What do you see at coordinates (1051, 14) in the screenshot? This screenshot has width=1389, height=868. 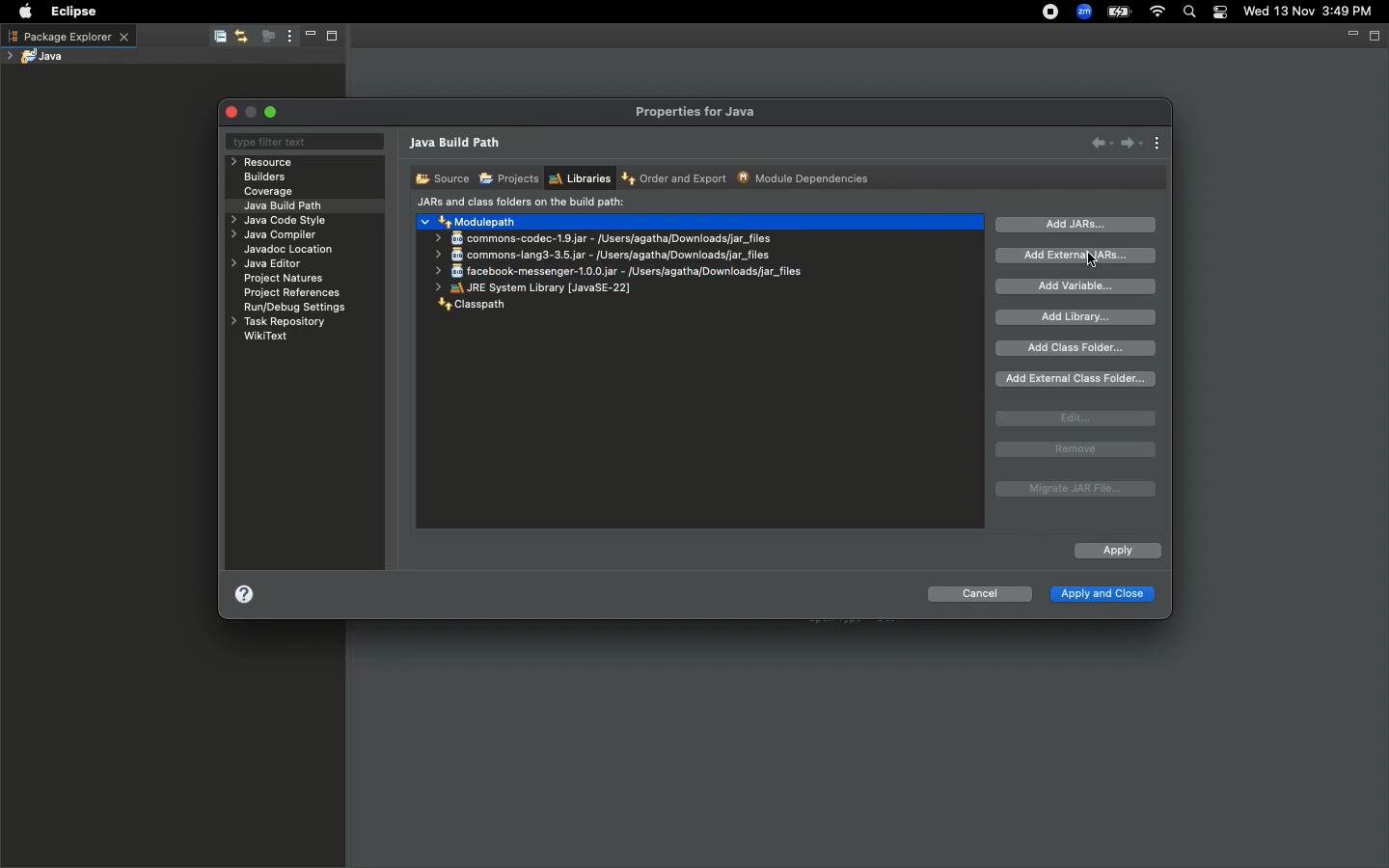 I see `Recording` at bounding box center [1051, 14].